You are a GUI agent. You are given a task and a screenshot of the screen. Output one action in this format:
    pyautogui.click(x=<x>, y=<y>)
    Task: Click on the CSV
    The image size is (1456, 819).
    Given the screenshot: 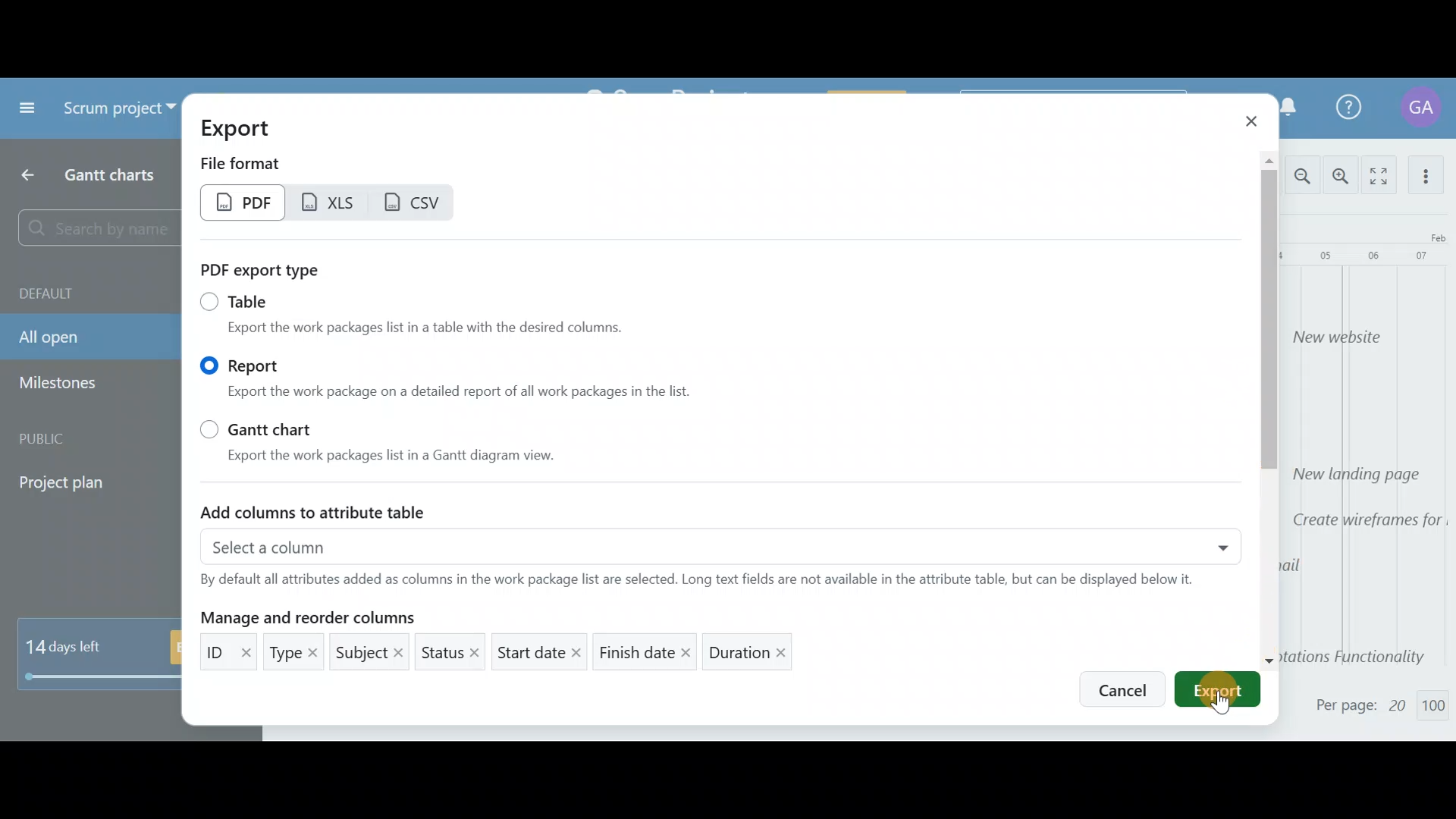 What is the action you would take?
    pyautogui.click(x=413, y=203)
    